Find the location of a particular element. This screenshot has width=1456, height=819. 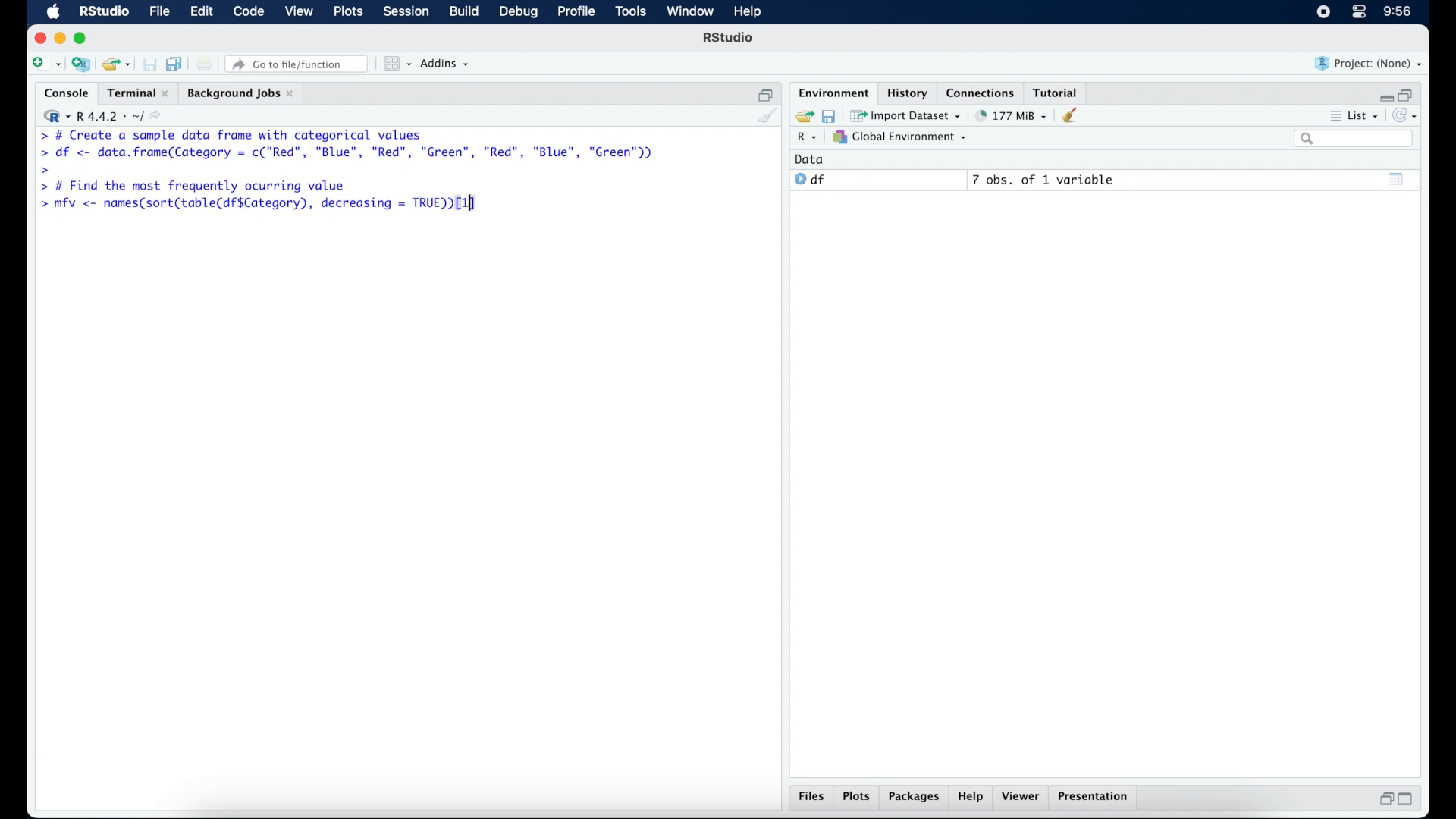

edit is located at coordinates (202, 12).